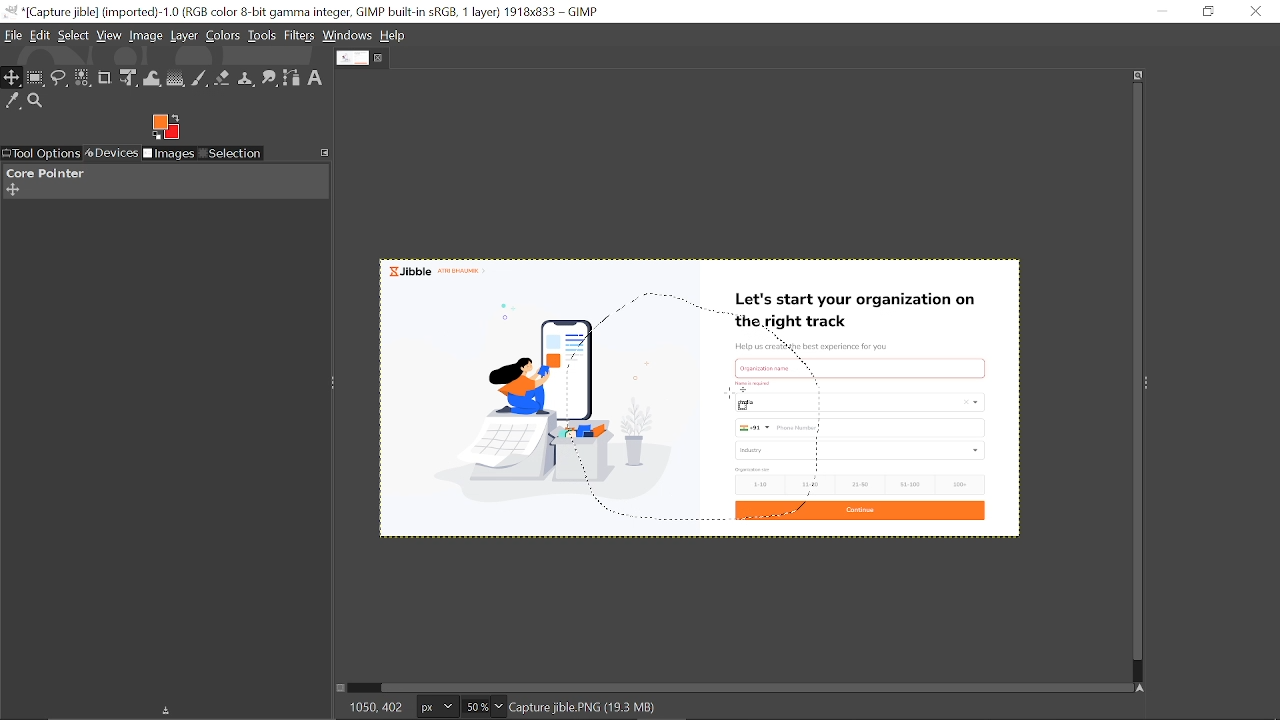  I want to click on Zoom tool, so click(36, 101).